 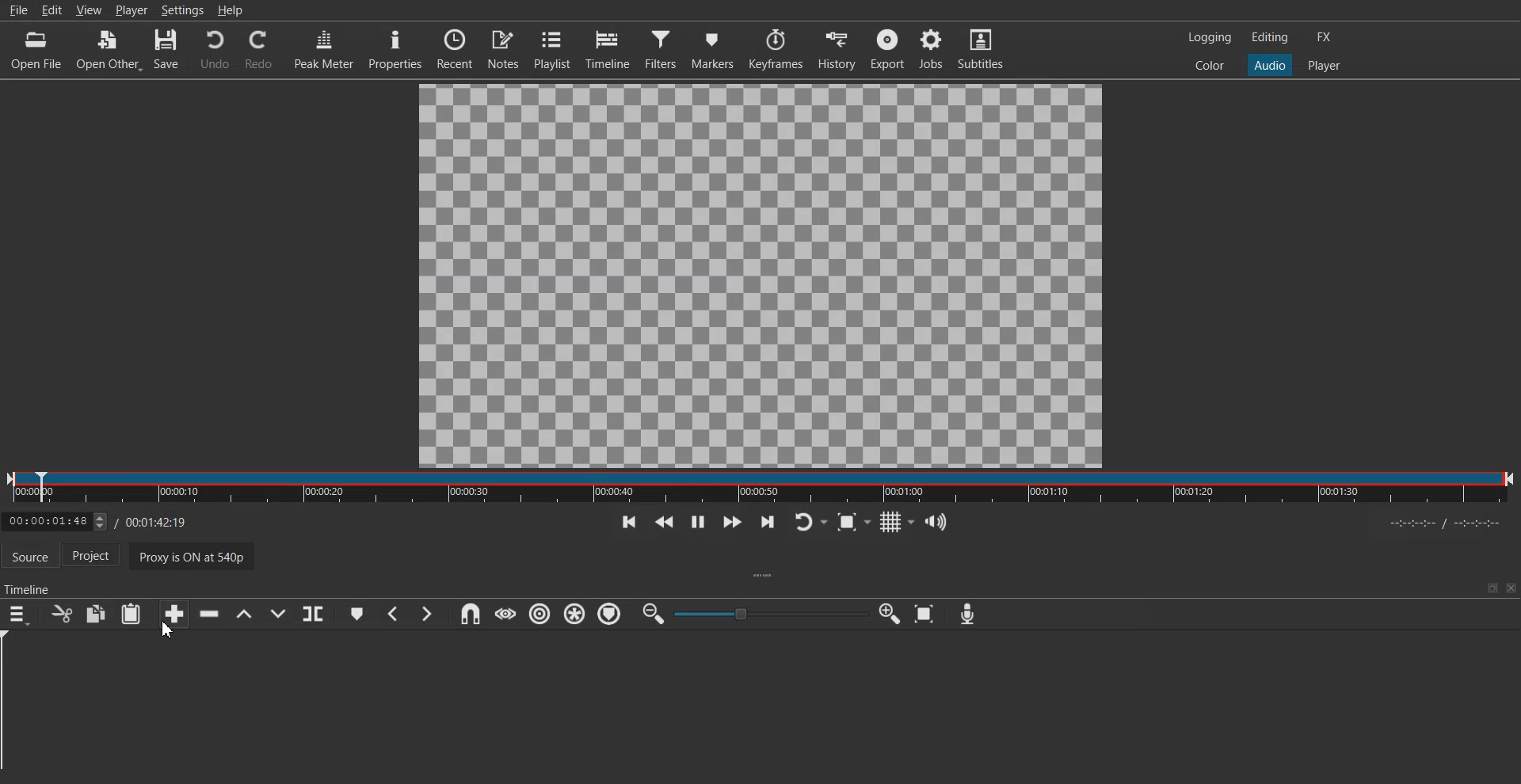 I want to click on Scrub while dragging, so click(x=505, y=614).